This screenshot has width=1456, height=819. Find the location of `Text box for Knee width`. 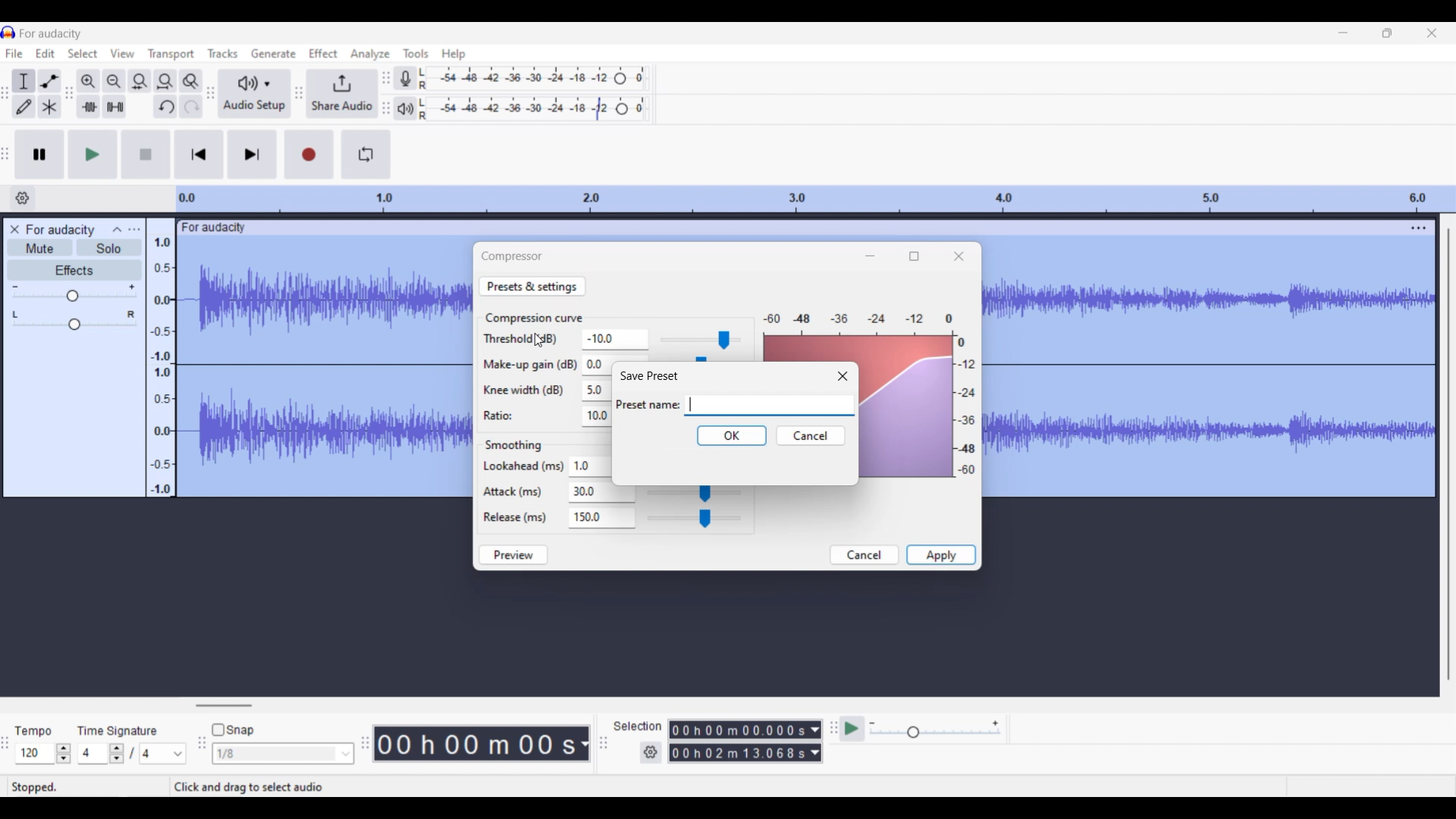

Text box for Knee width is located at coordinates (595, 391).